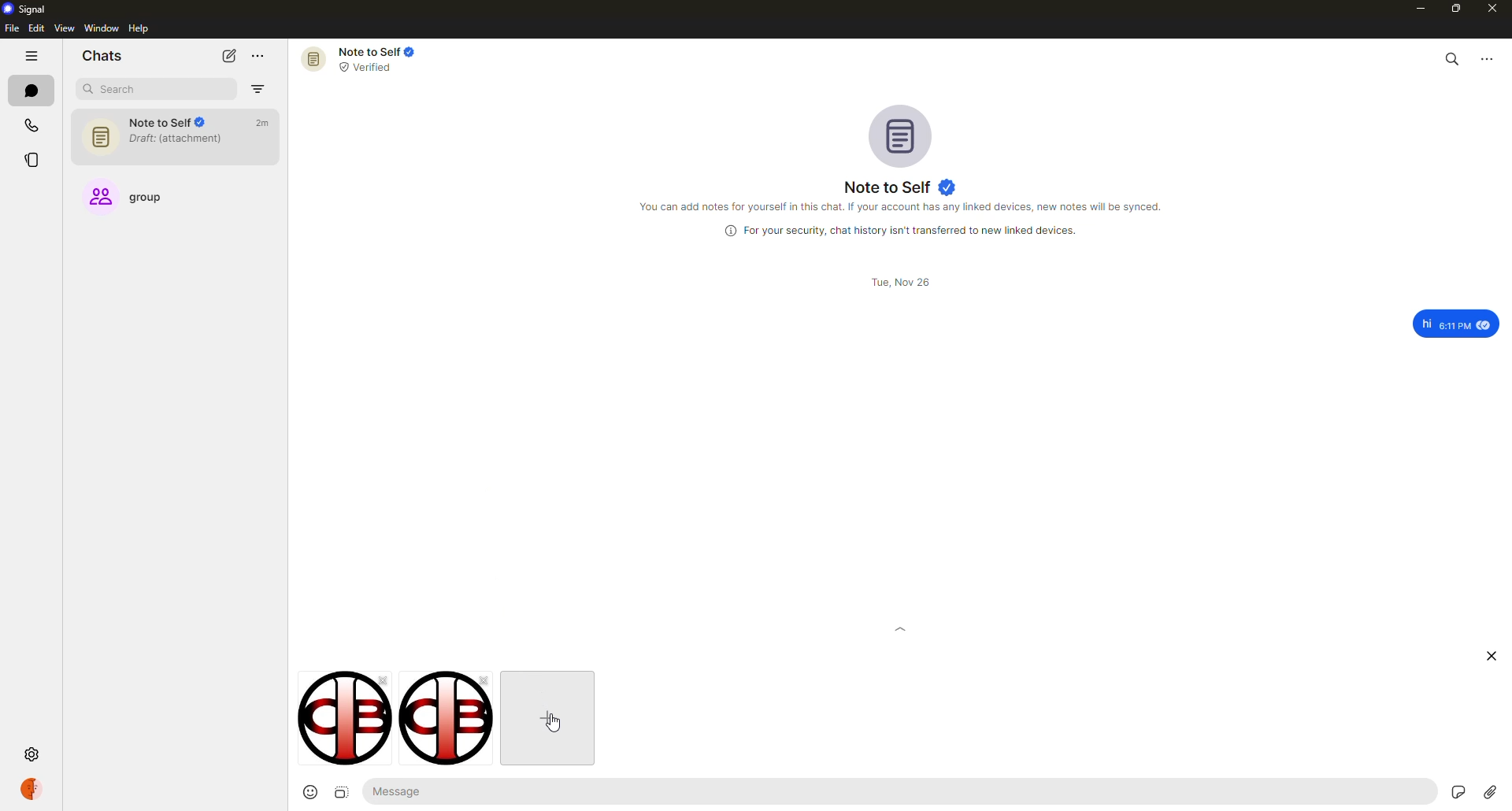  Describe the element at coordinates (260, 56) in the screenshot. I see `more` at that location.